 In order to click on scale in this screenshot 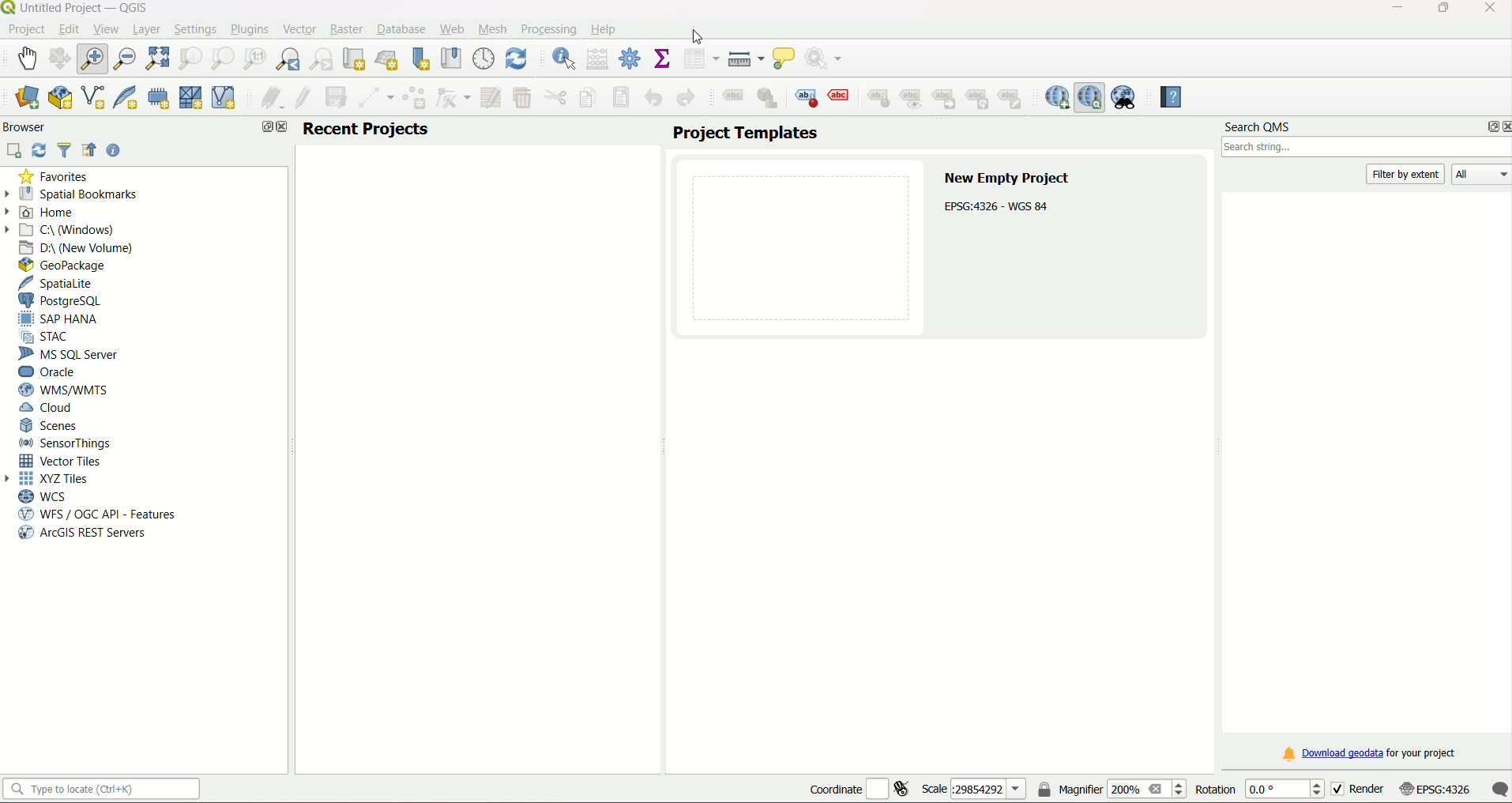, I will do `click(972, 790)`.